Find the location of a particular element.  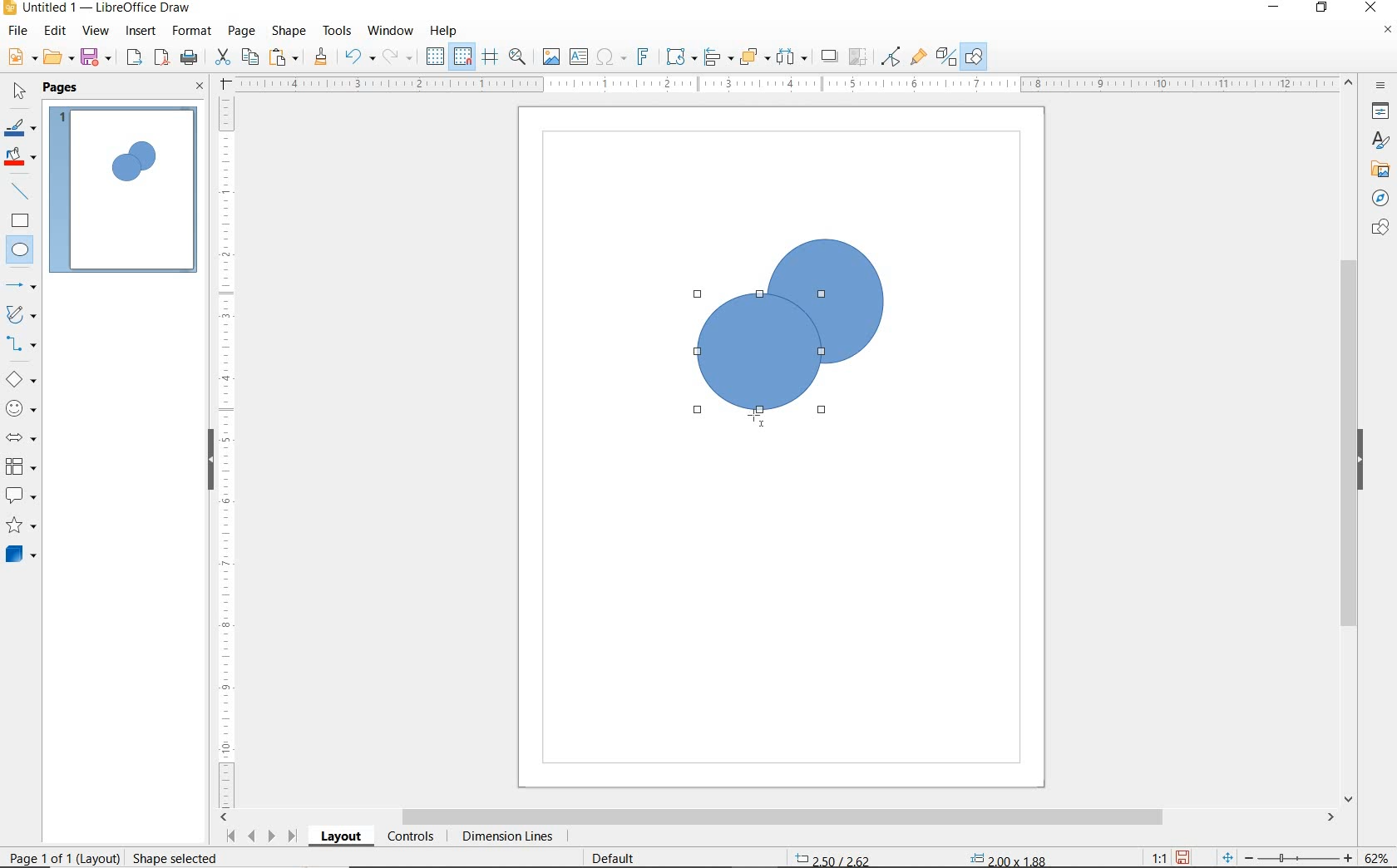

LINE COLOR is located at coordinates (20, 127).